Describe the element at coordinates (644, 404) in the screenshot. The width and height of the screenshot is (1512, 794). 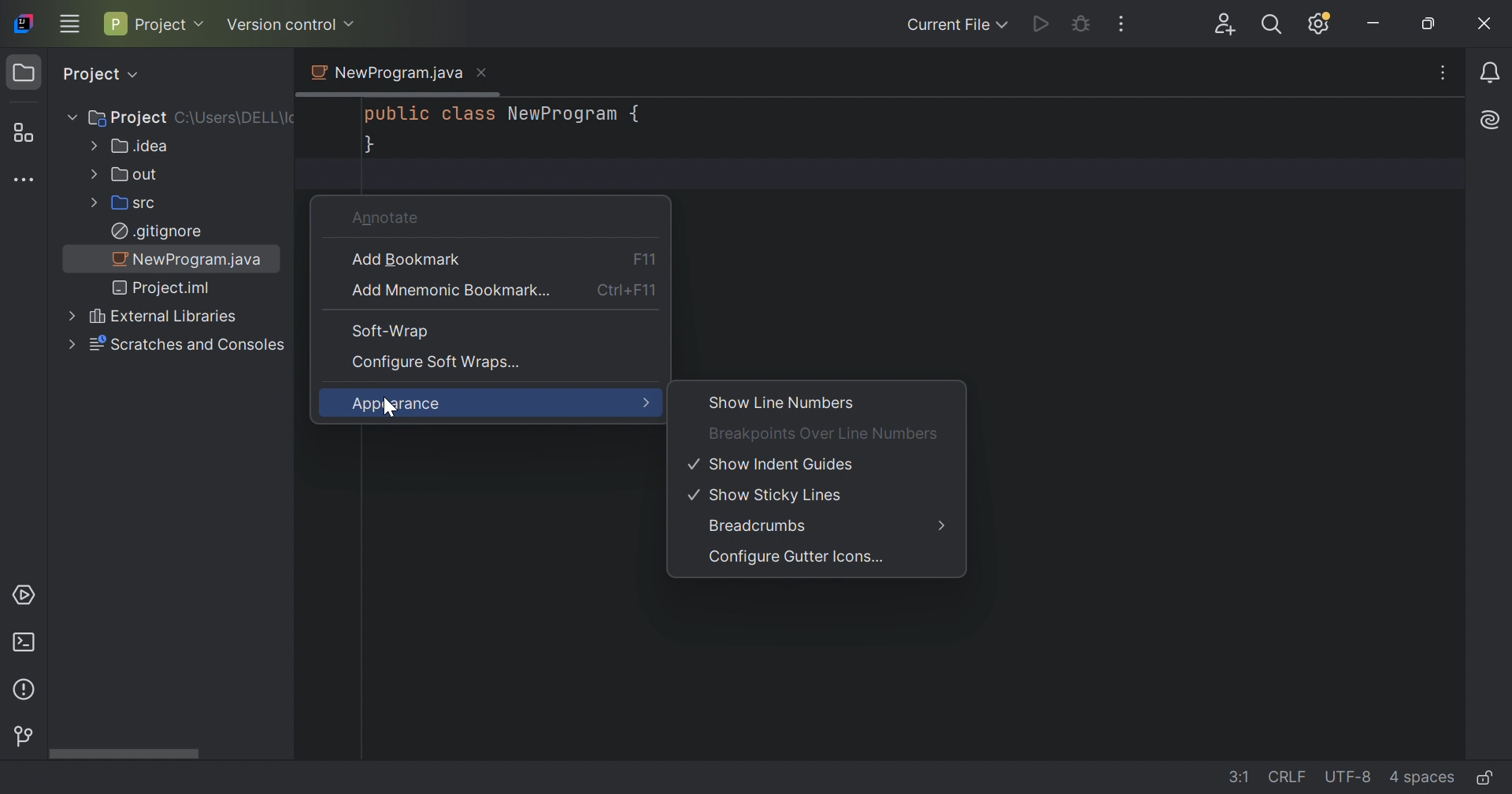
I see `More` at that location.